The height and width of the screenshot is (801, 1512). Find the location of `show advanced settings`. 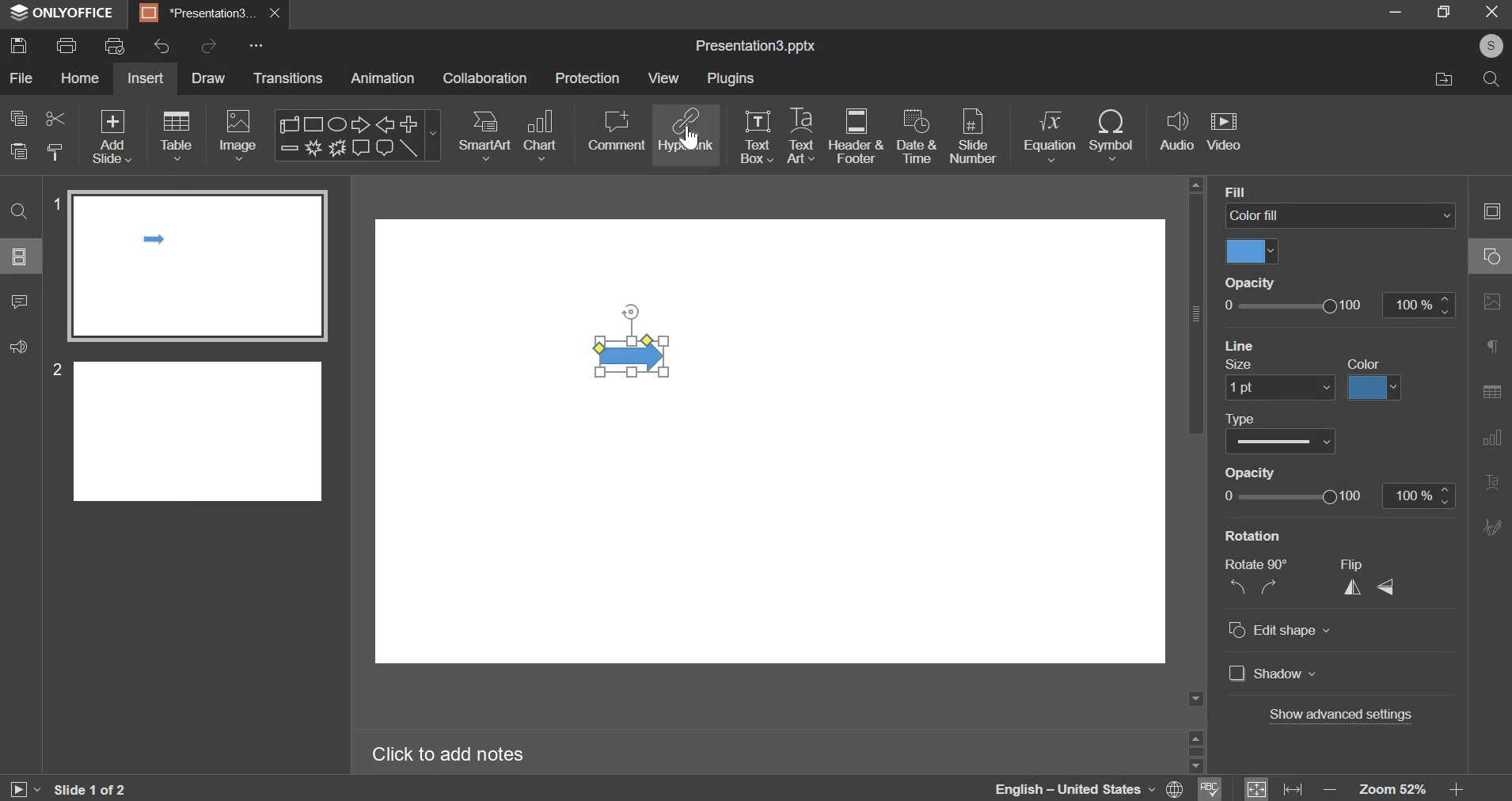

show advanced settings is located at coordinates (1341, 714).